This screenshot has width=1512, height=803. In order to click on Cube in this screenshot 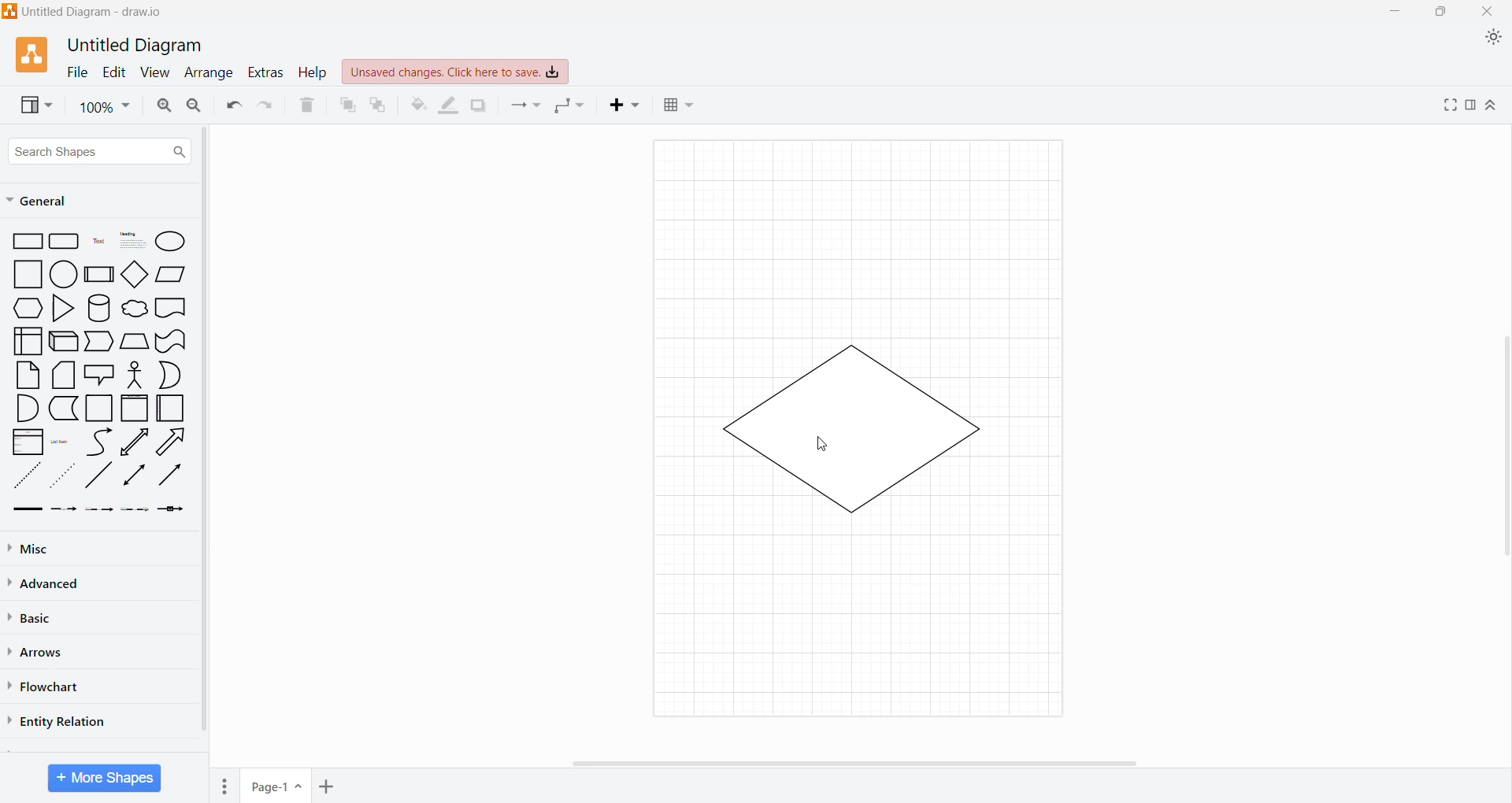, I will do `click(62, 342)`.